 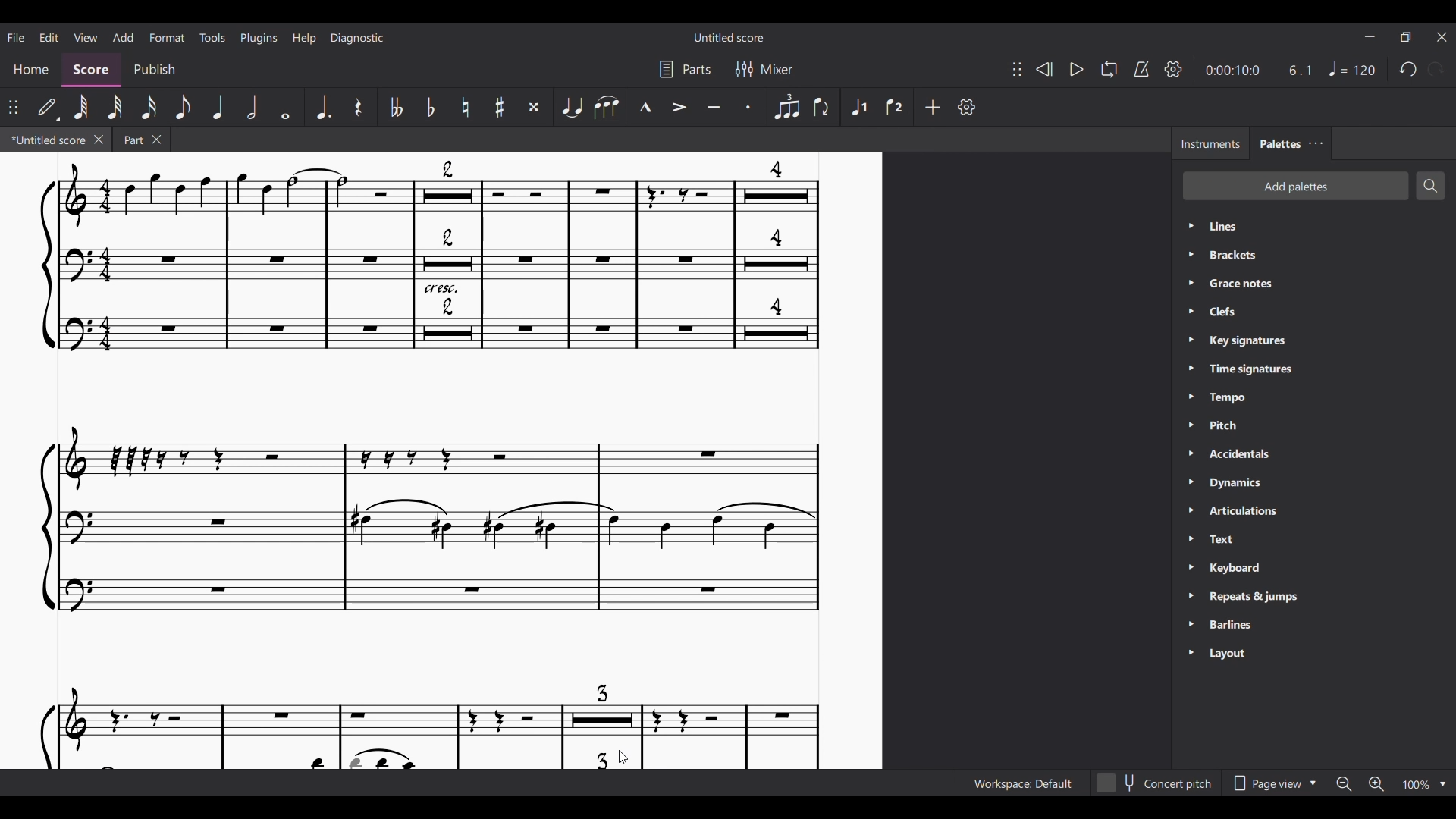 What do you see at coordinates (1022, 783) in the screenshot?
I see `Current workspace setting` at bounding box center [1022, 783].